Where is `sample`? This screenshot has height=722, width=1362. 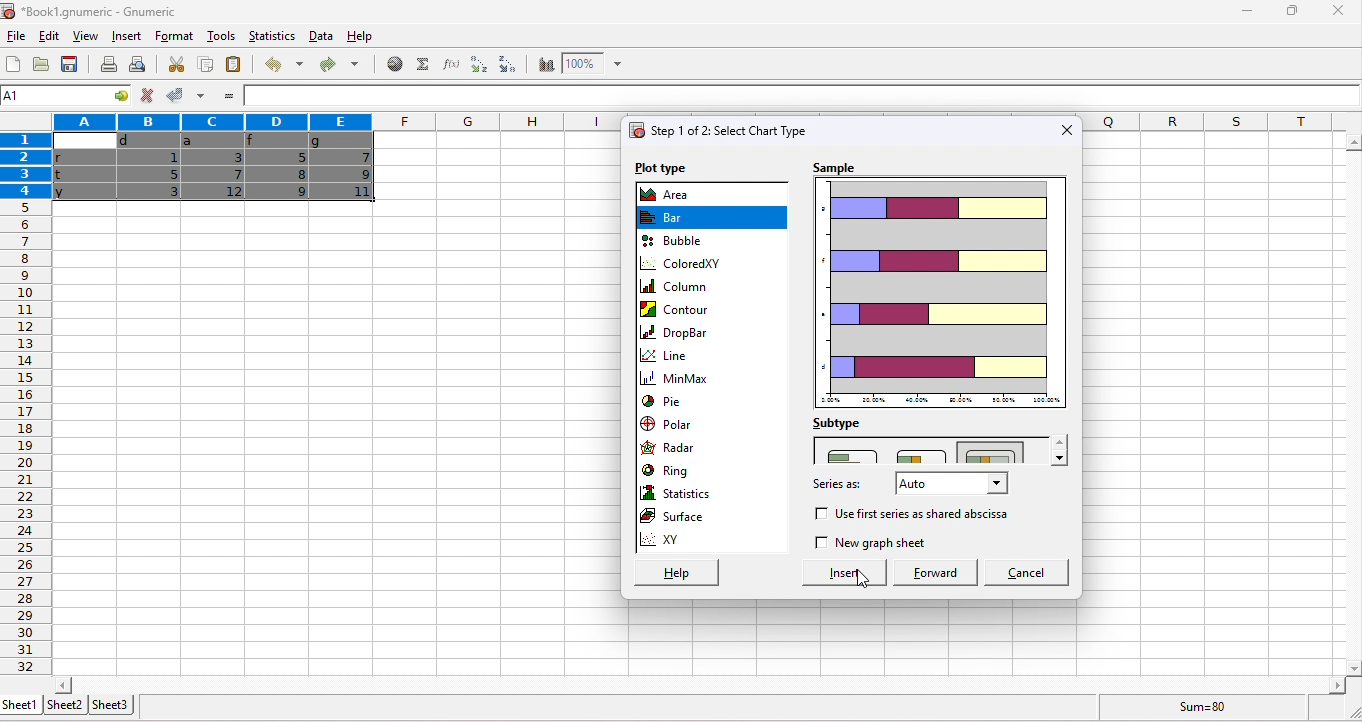 sample is located at coordinates (840, 167).